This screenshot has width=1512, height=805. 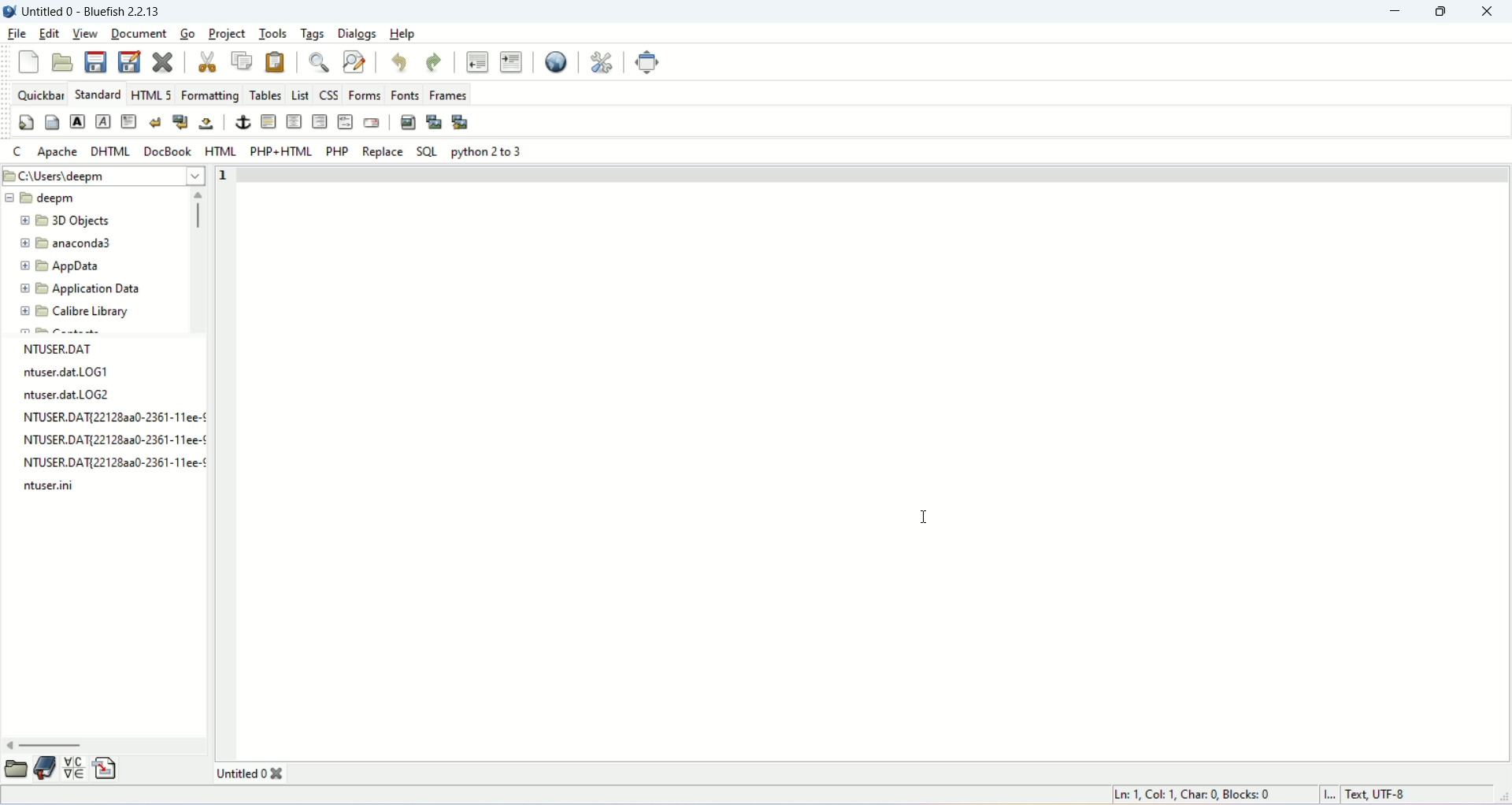 What do you see at coordinates (95, 61) in the screenshot?
I see `save` at bounding box center [95, 61].